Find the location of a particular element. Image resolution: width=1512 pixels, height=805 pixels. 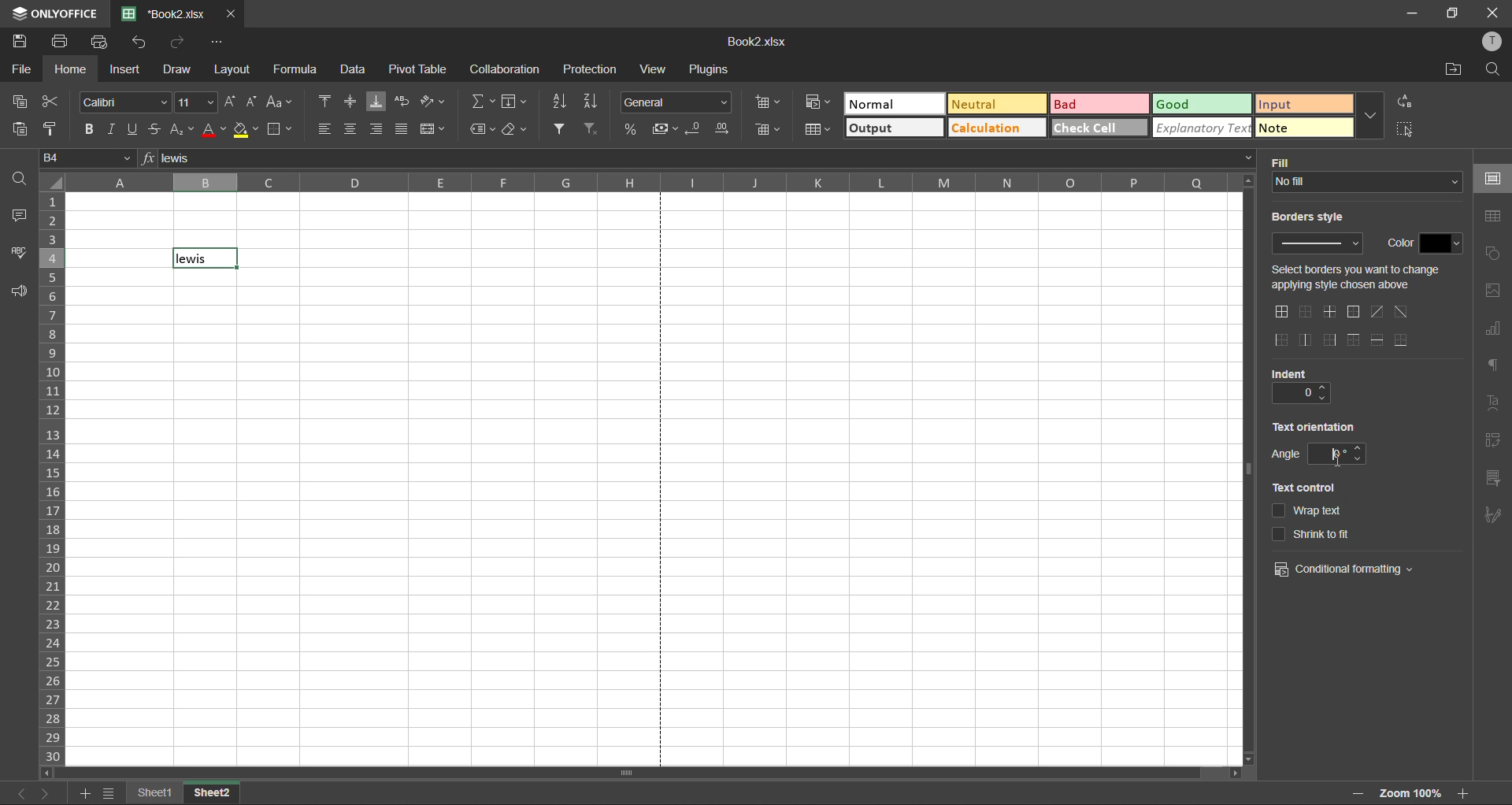

text control is located at coordinates (1303, 488).